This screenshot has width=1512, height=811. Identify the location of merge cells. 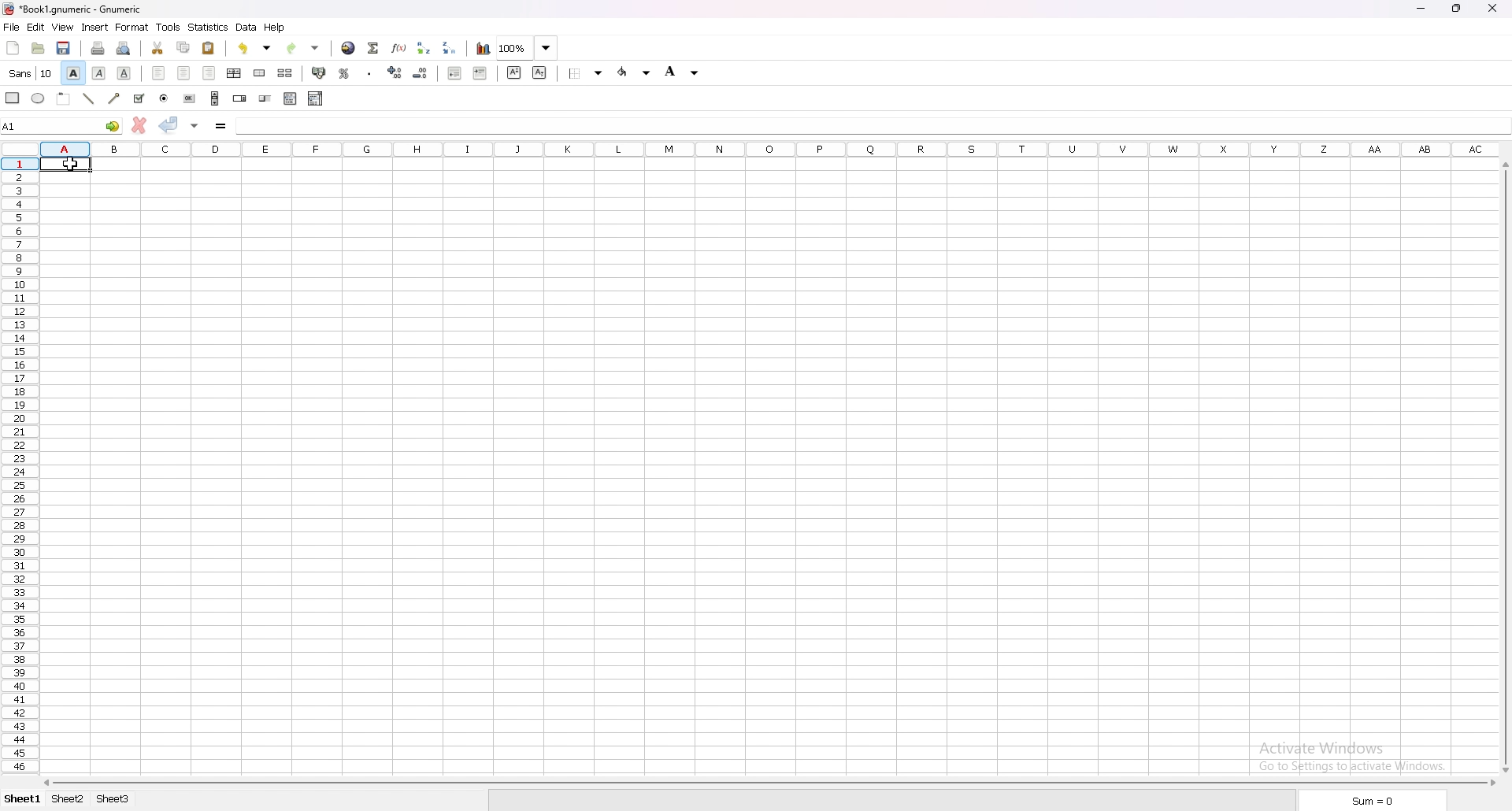
(261, 73).